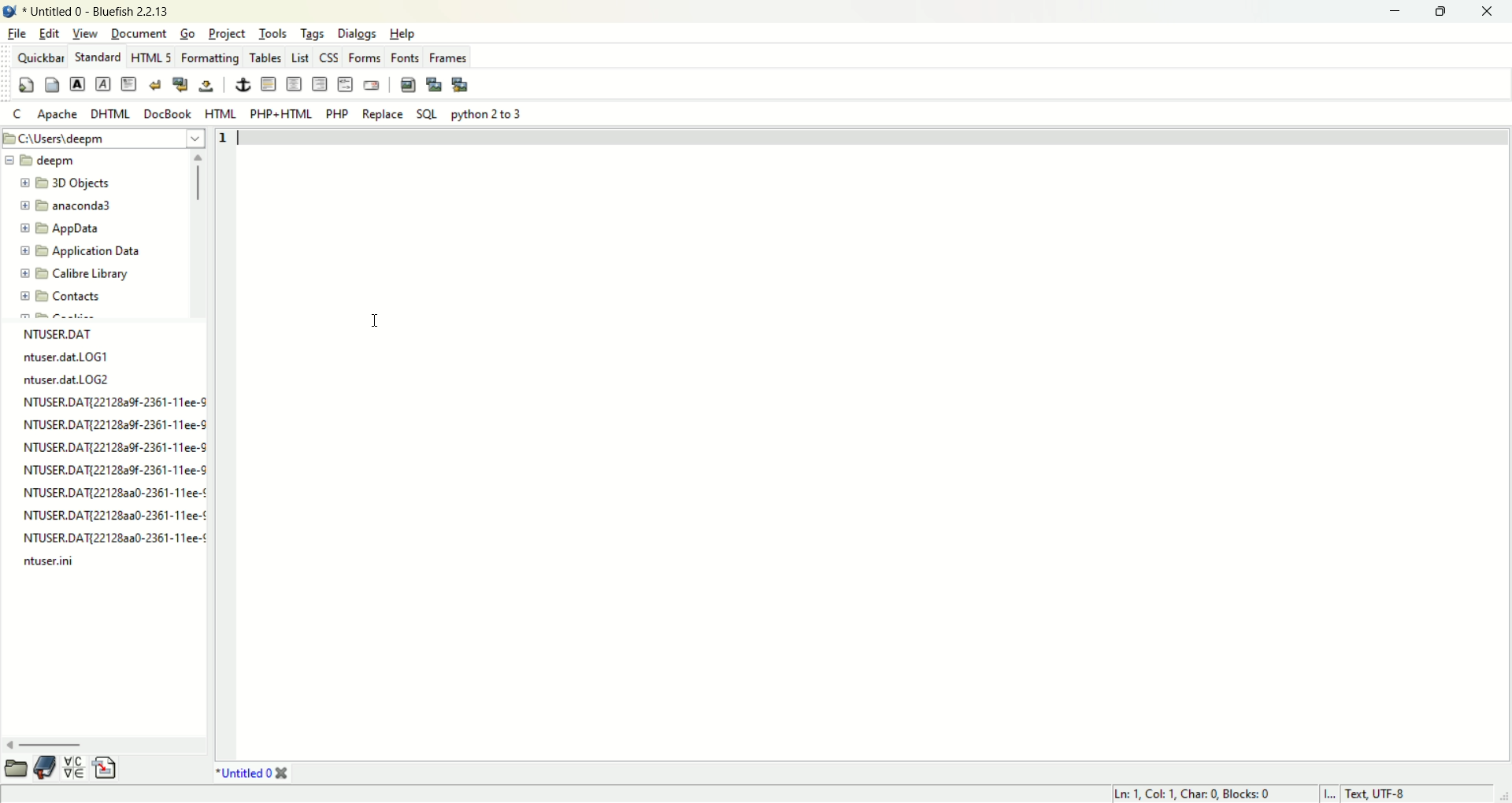 The height and width of the screenshot is (803, 1512). I want to click on insert thumbnail, so click(435, 82).